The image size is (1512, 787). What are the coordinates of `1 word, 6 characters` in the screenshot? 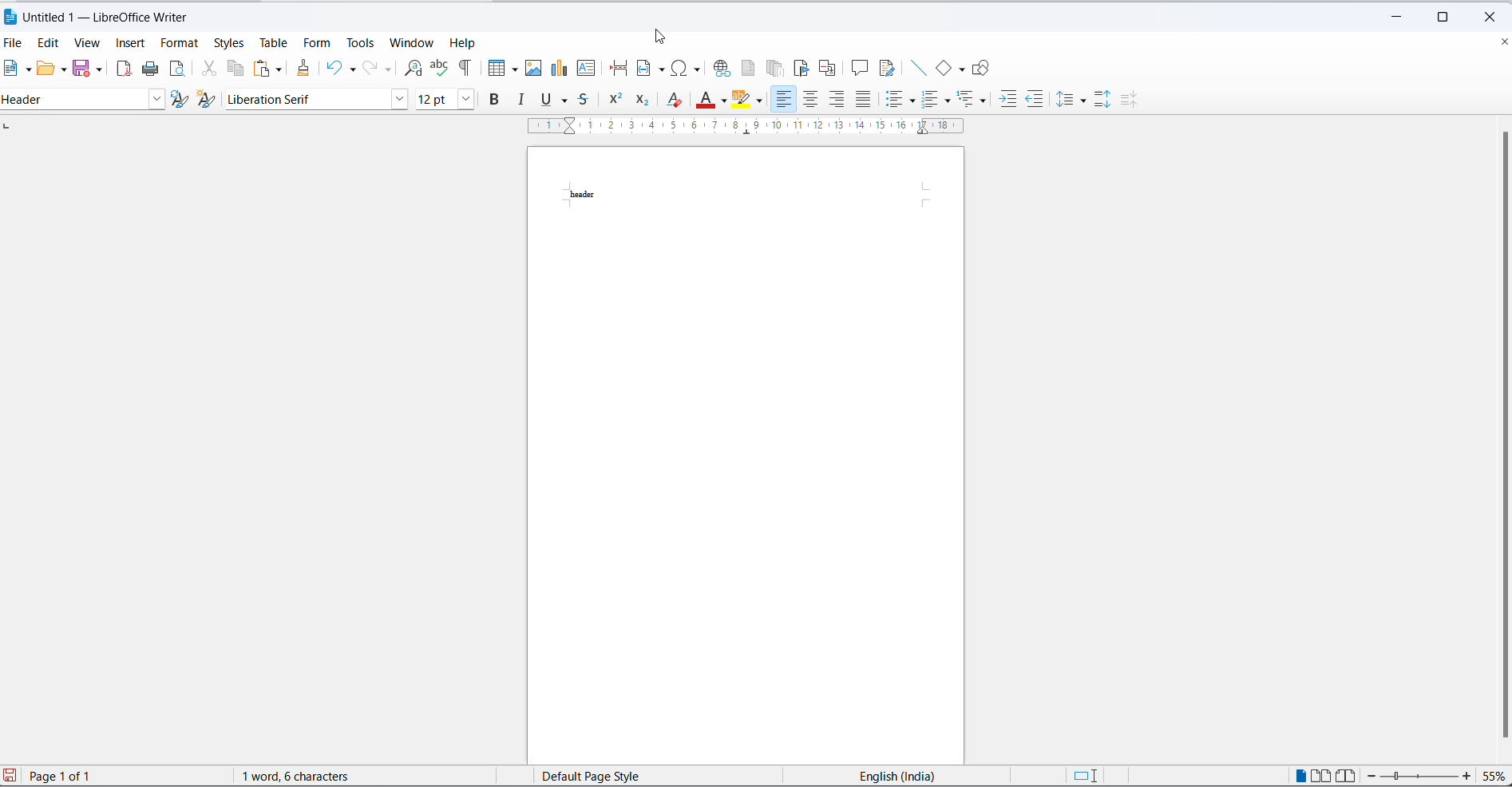 It's located at (315, 776).